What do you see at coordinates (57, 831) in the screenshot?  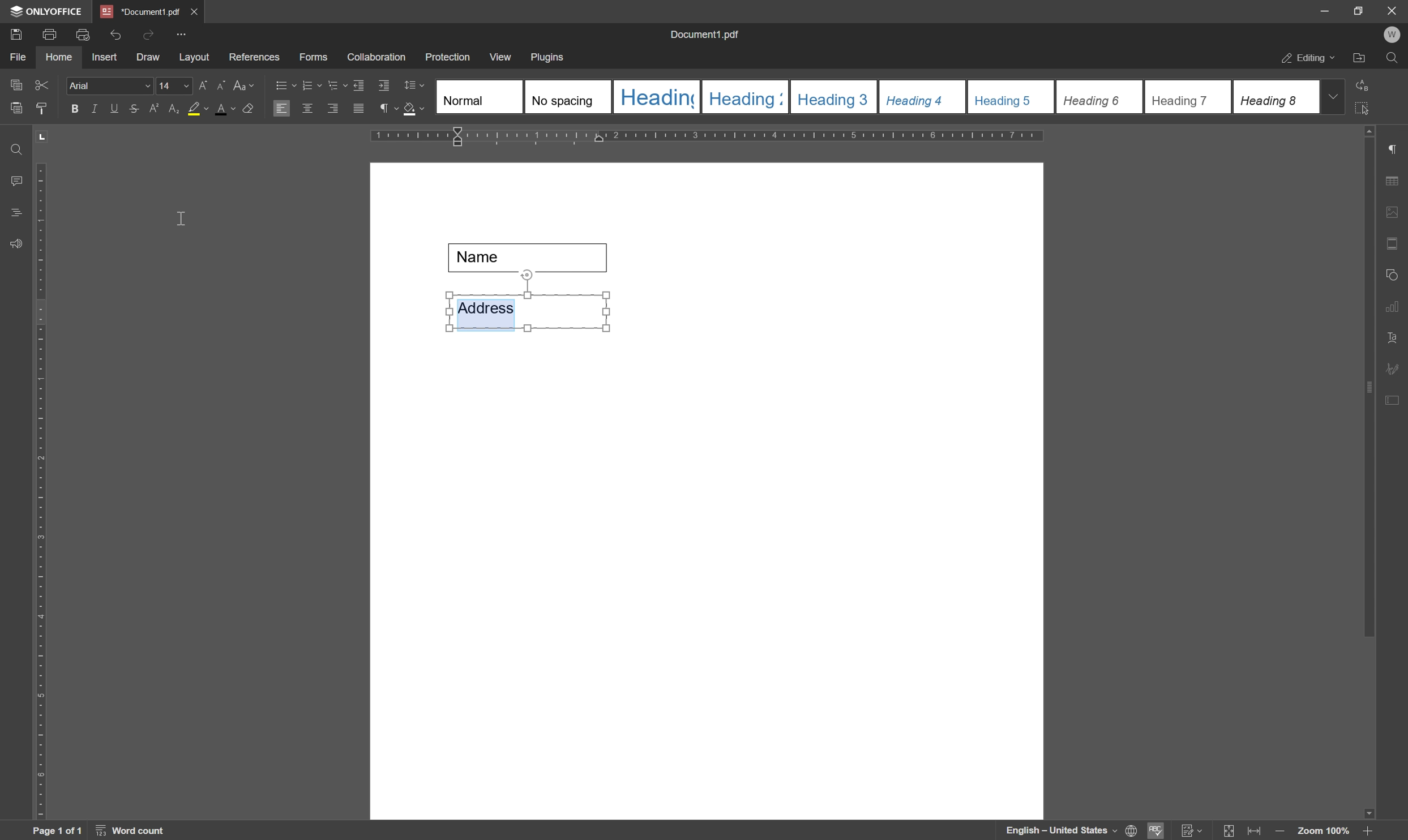 I see `page 1 of 1` at bounding box center [57, 831].